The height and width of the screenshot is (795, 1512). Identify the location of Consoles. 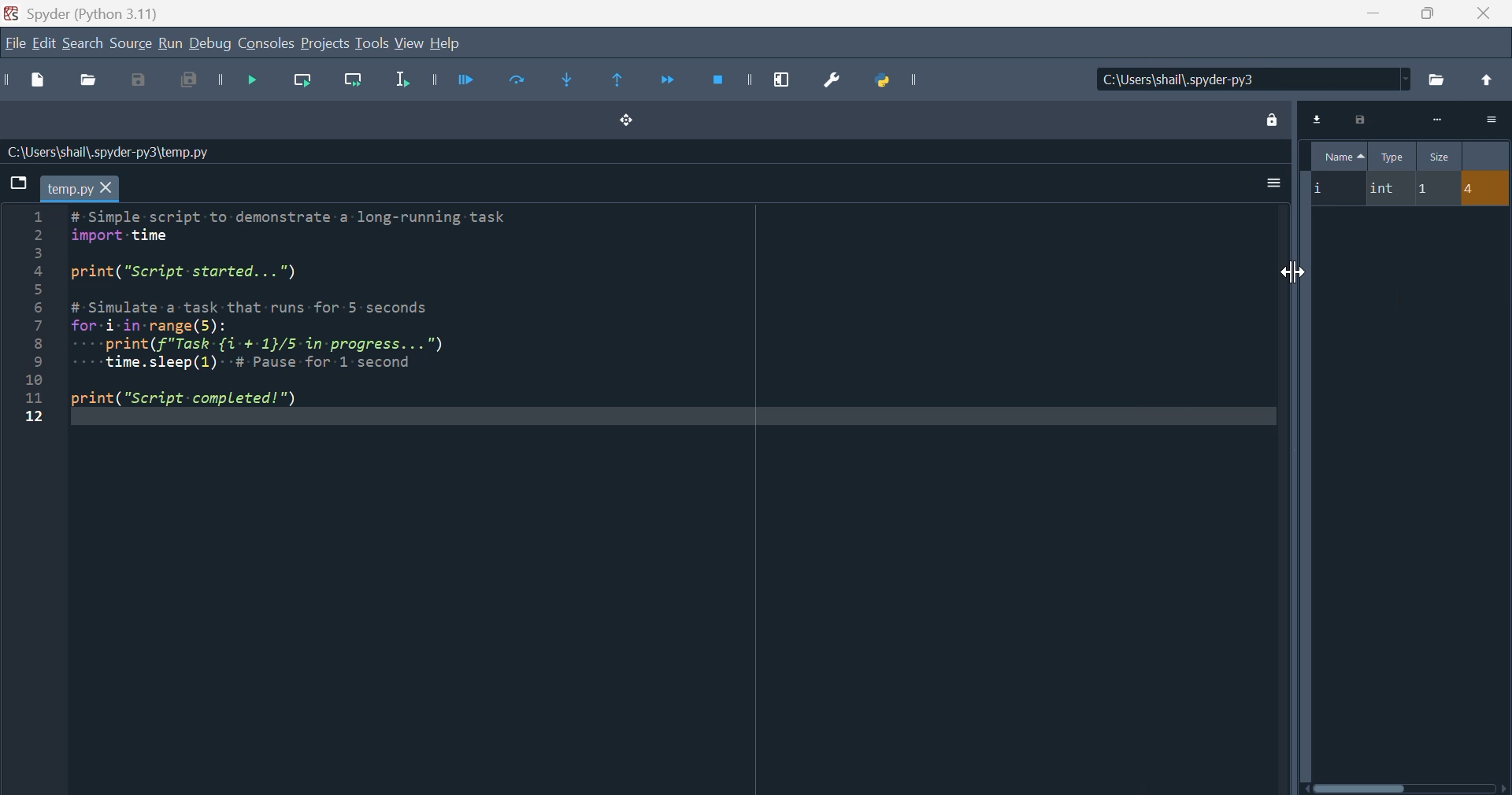
(266, 44).